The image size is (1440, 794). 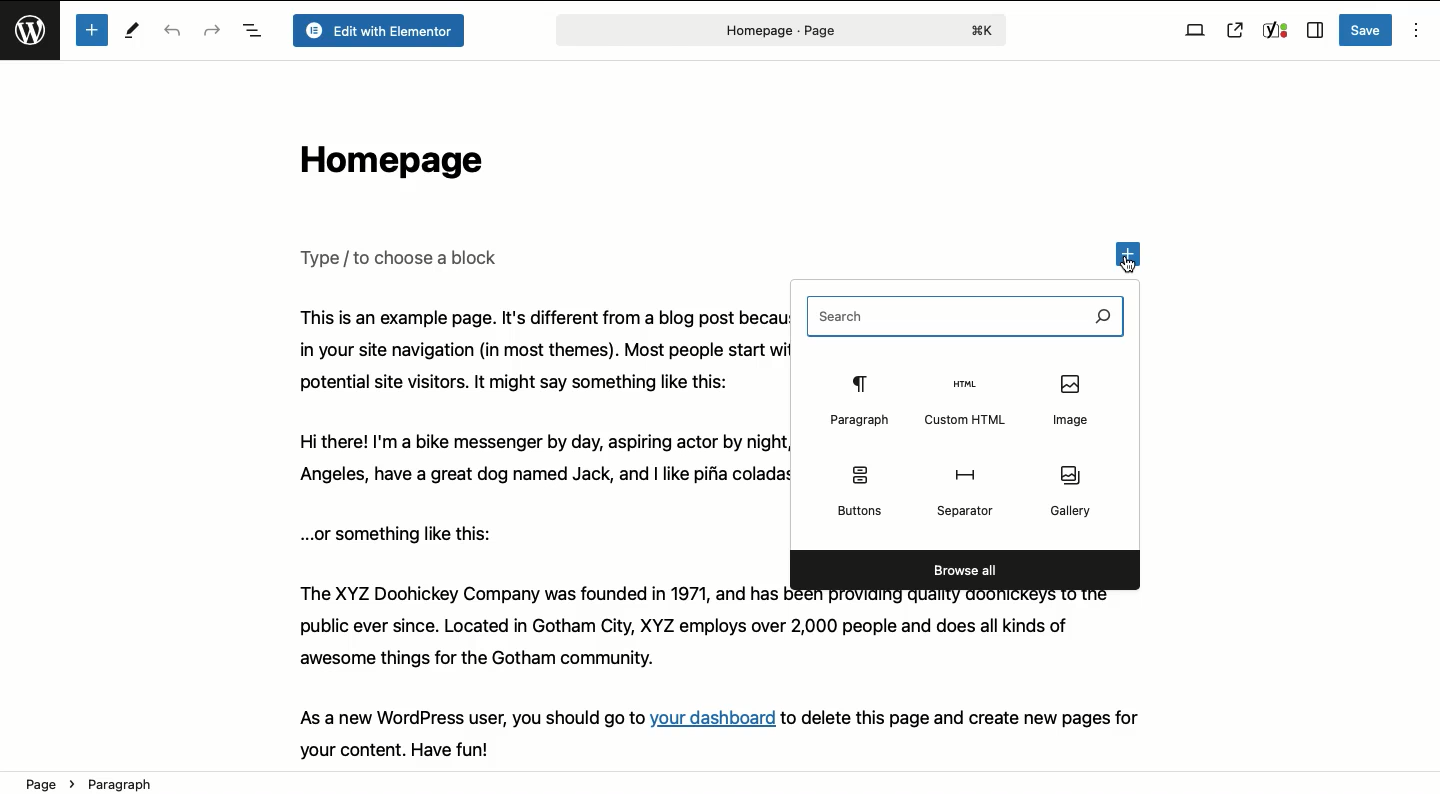 I want to click on Choose a block, so click(x=403, y=257).